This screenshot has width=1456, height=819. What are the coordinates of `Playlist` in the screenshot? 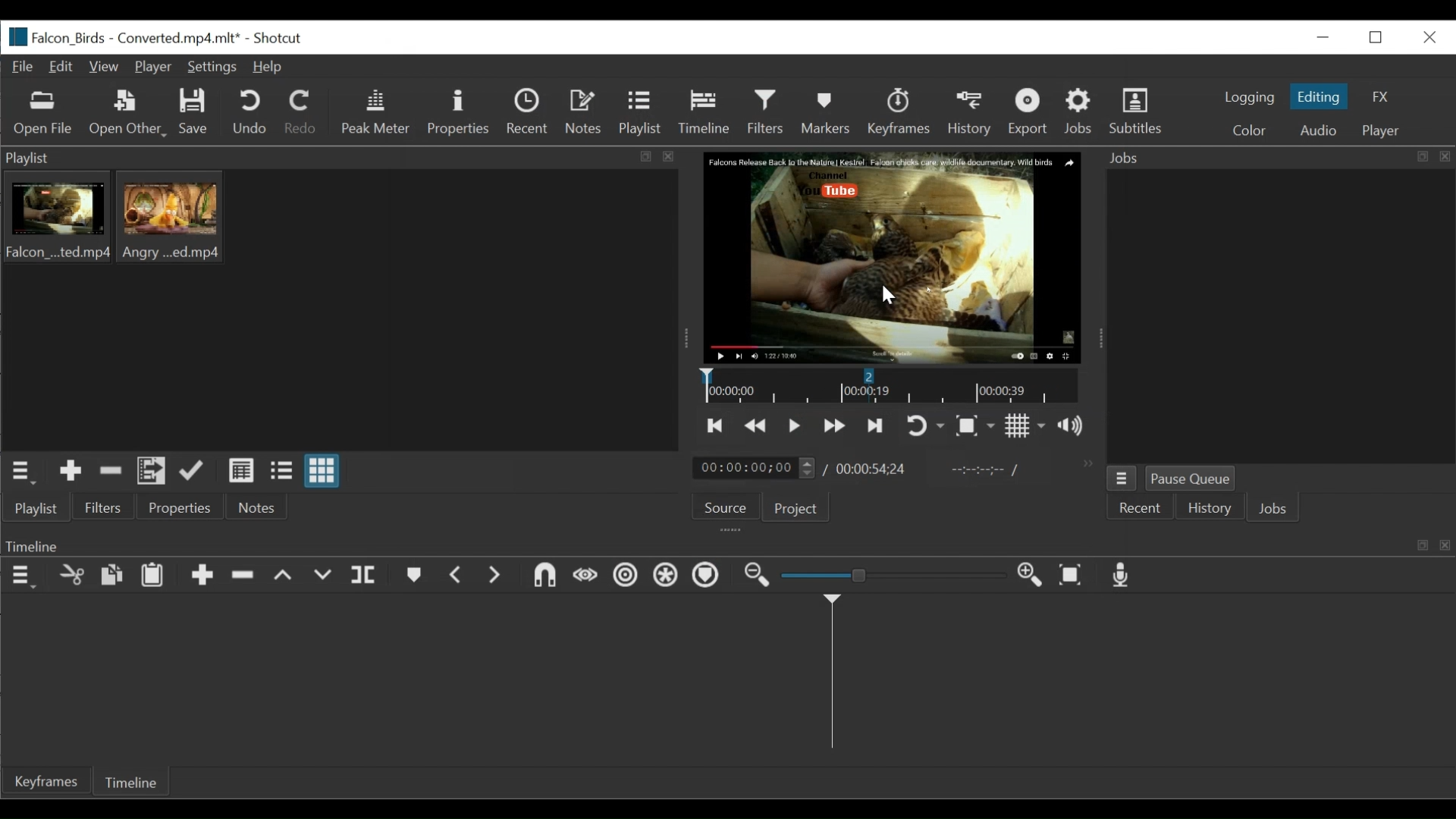 It's located at (35, 508).